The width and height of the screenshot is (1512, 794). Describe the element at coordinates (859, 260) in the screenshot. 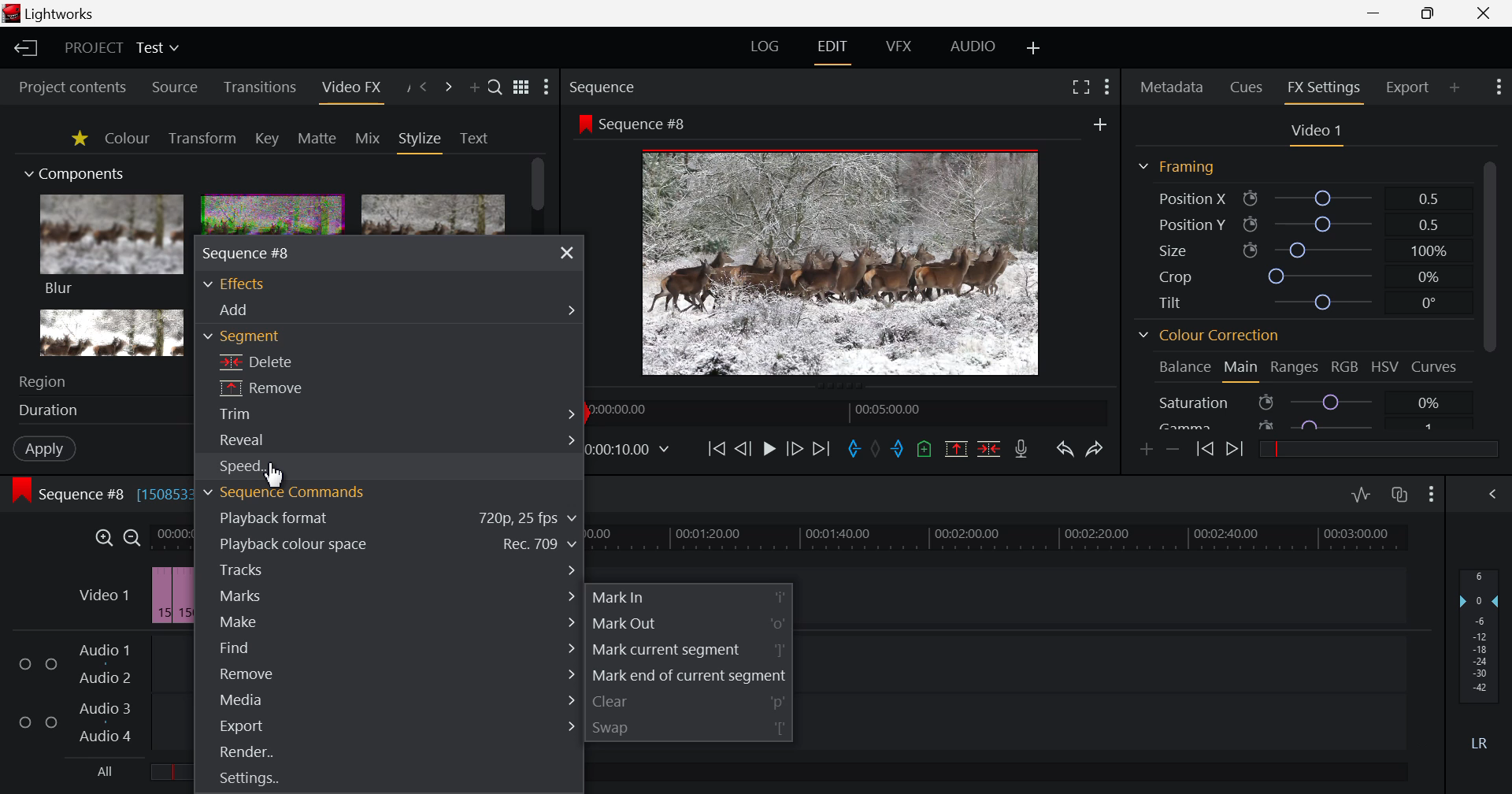

I see `Preview at Stop` at that location.